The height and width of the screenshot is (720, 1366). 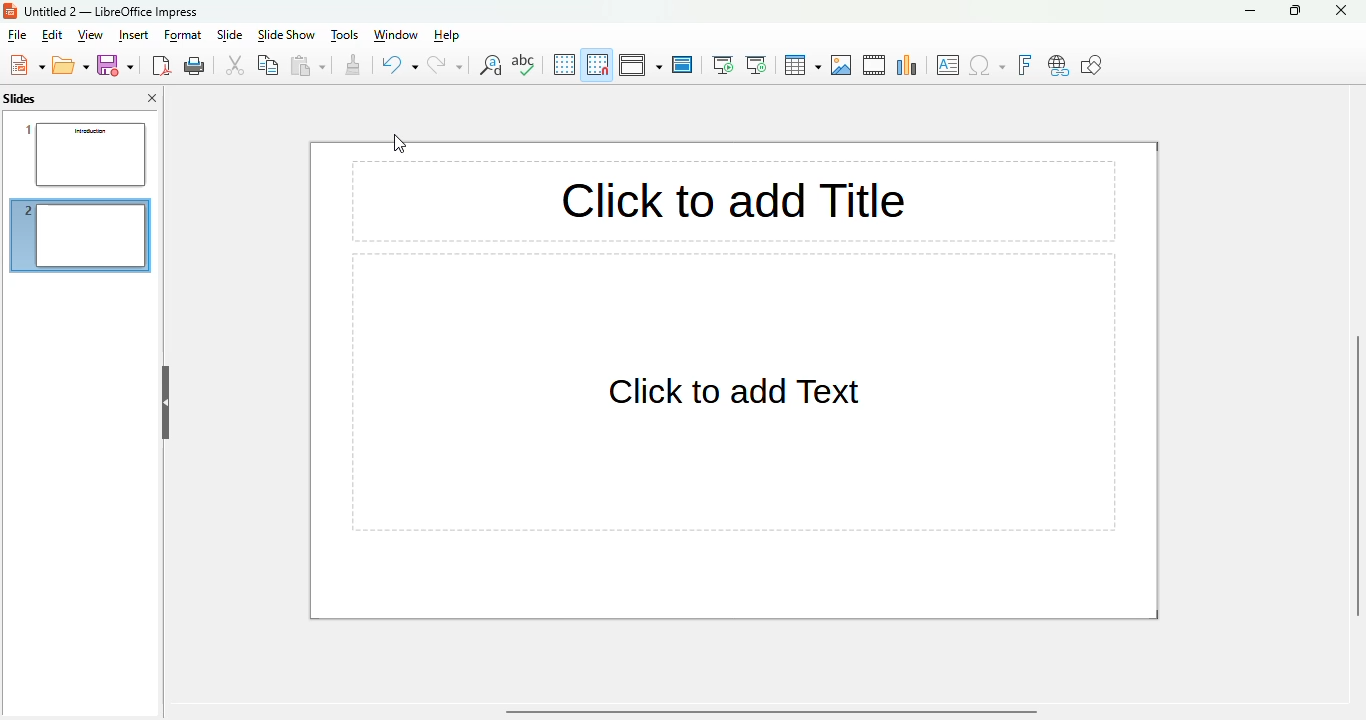 I want to click on view, so click(x=90, y=35).